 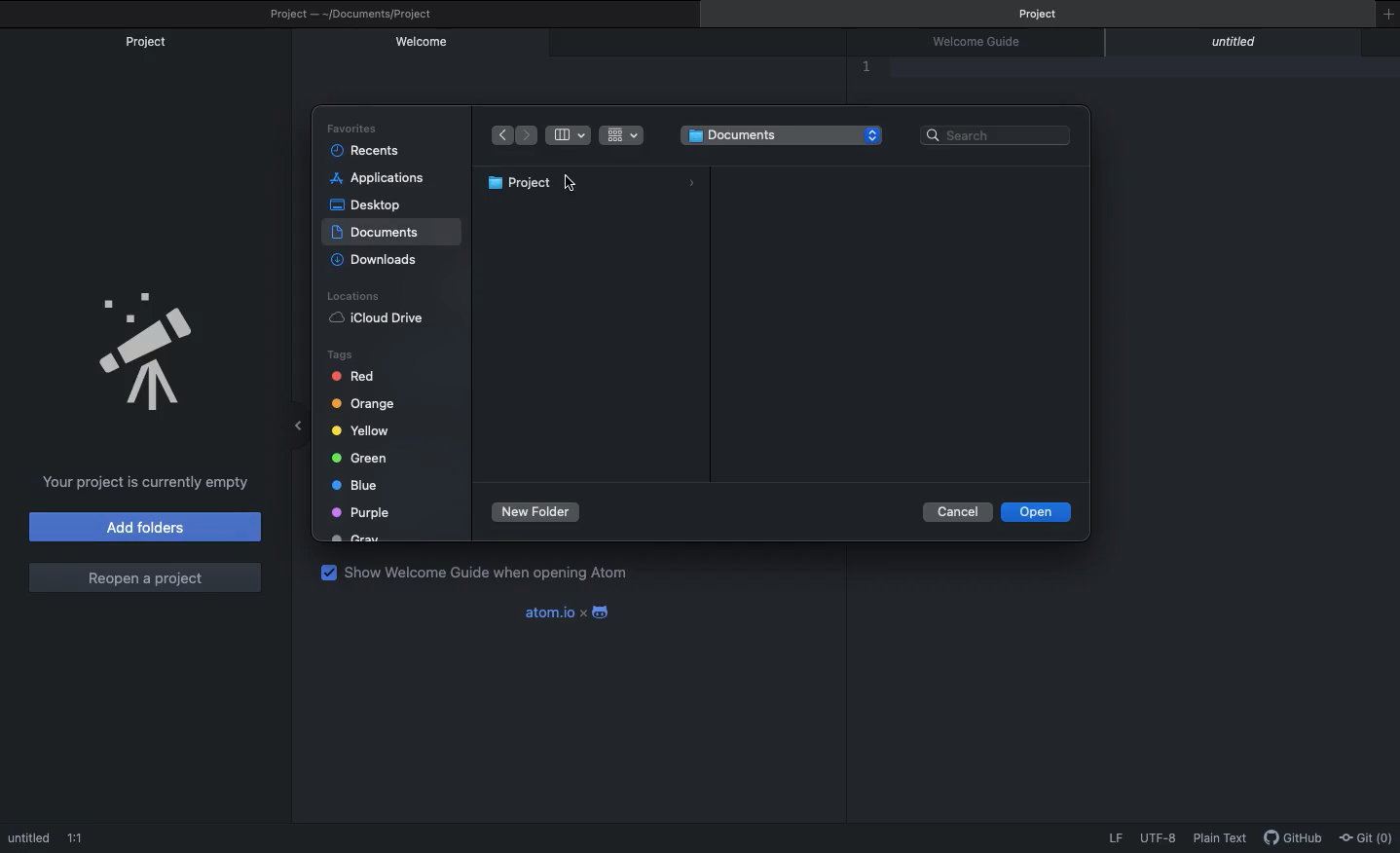 What do you see at coordinates (574, 612) in the screenshot?
I see `Atom x android ` at bounding box center [574, 612].